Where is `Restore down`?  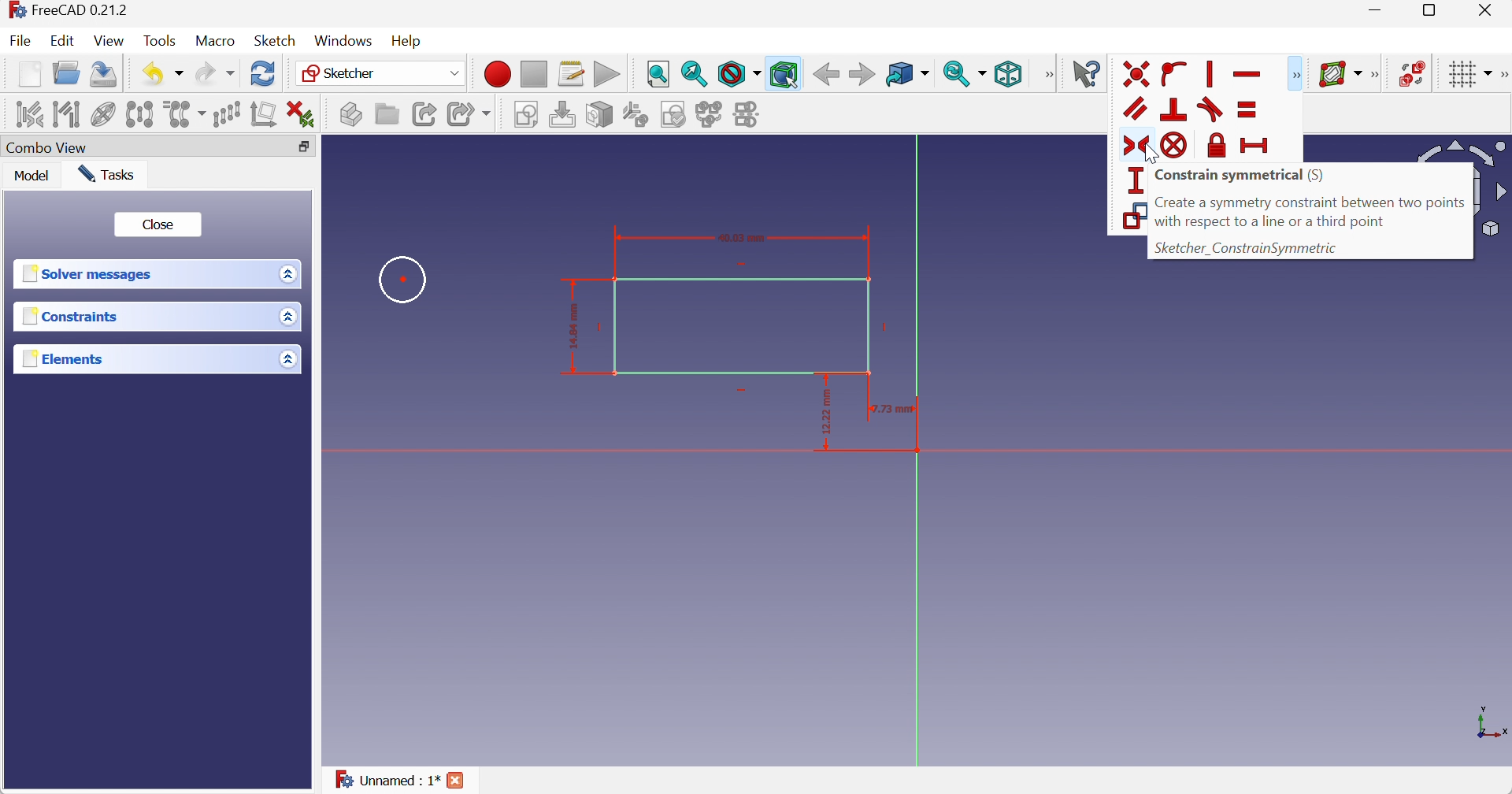
Restore down is located at coordinates (1435, 11).